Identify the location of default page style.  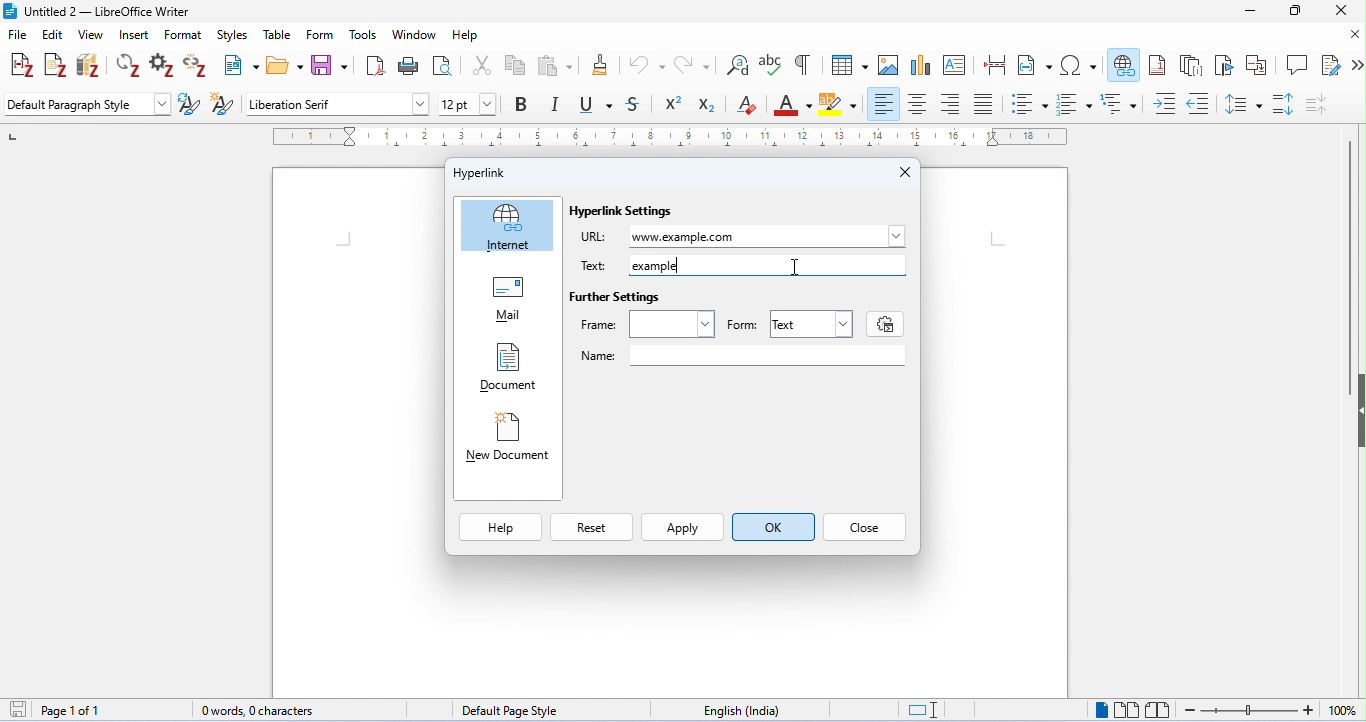
(511, 711).